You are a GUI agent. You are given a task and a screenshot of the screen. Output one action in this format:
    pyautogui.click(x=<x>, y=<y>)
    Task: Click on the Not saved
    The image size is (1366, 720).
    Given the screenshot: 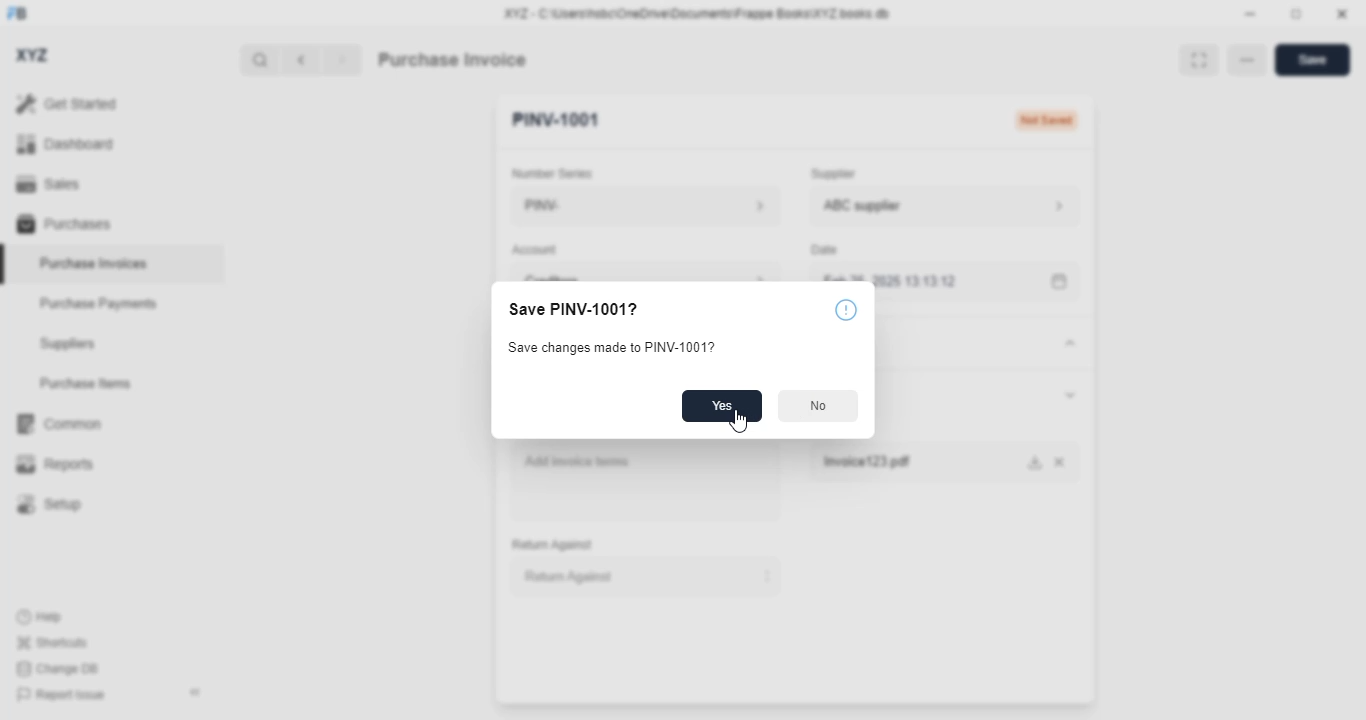 What is the action you would take?
    pyautogui.click(x=1047, y=120)
    